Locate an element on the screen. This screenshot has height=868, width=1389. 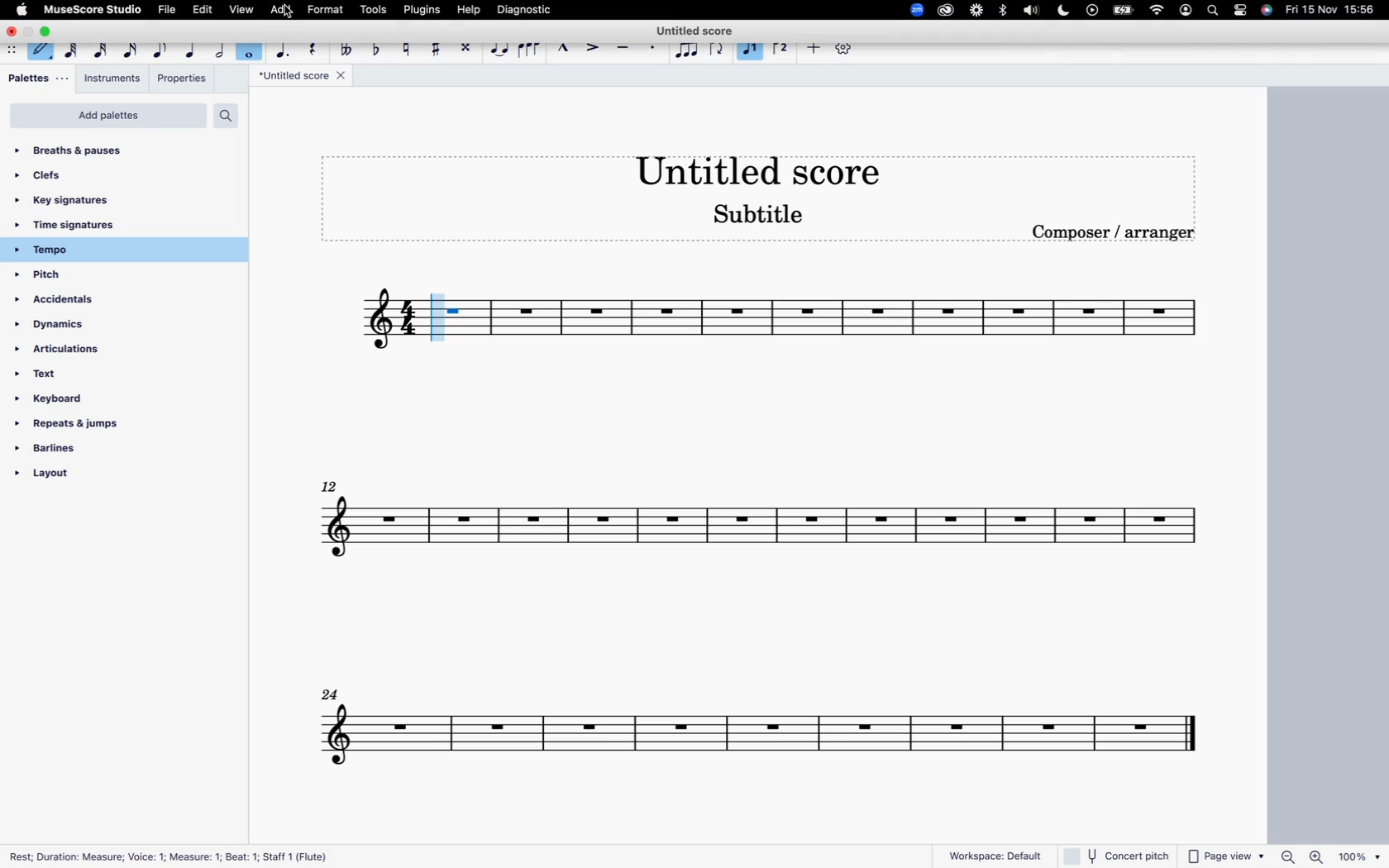
16th note is located at coordinates (129, 48).